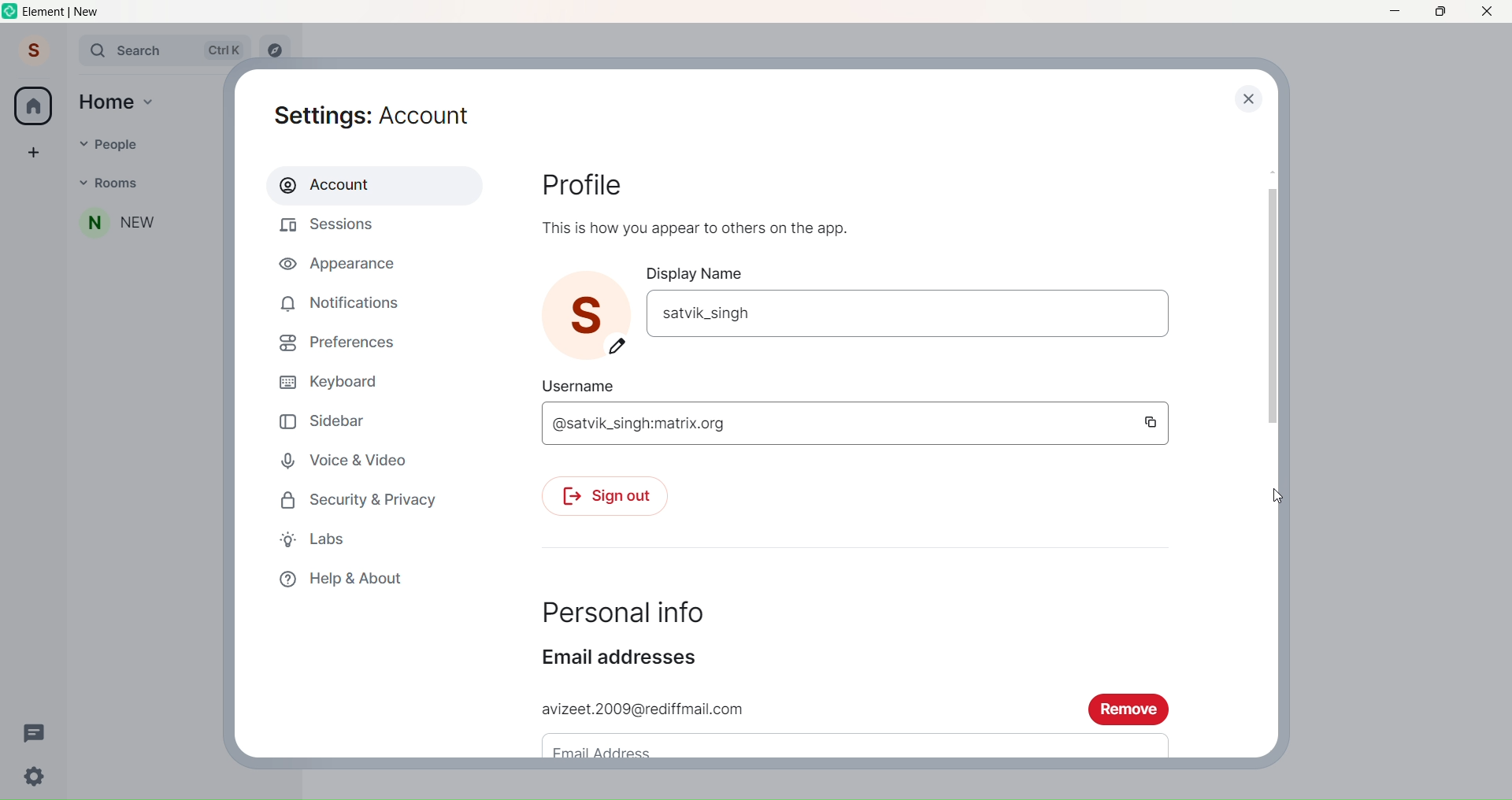 This screenshot has width=1512, height=800. What do you see at coordinates (154, 142) in the screenshot?
I see `People` at bounding box center [154, 142].